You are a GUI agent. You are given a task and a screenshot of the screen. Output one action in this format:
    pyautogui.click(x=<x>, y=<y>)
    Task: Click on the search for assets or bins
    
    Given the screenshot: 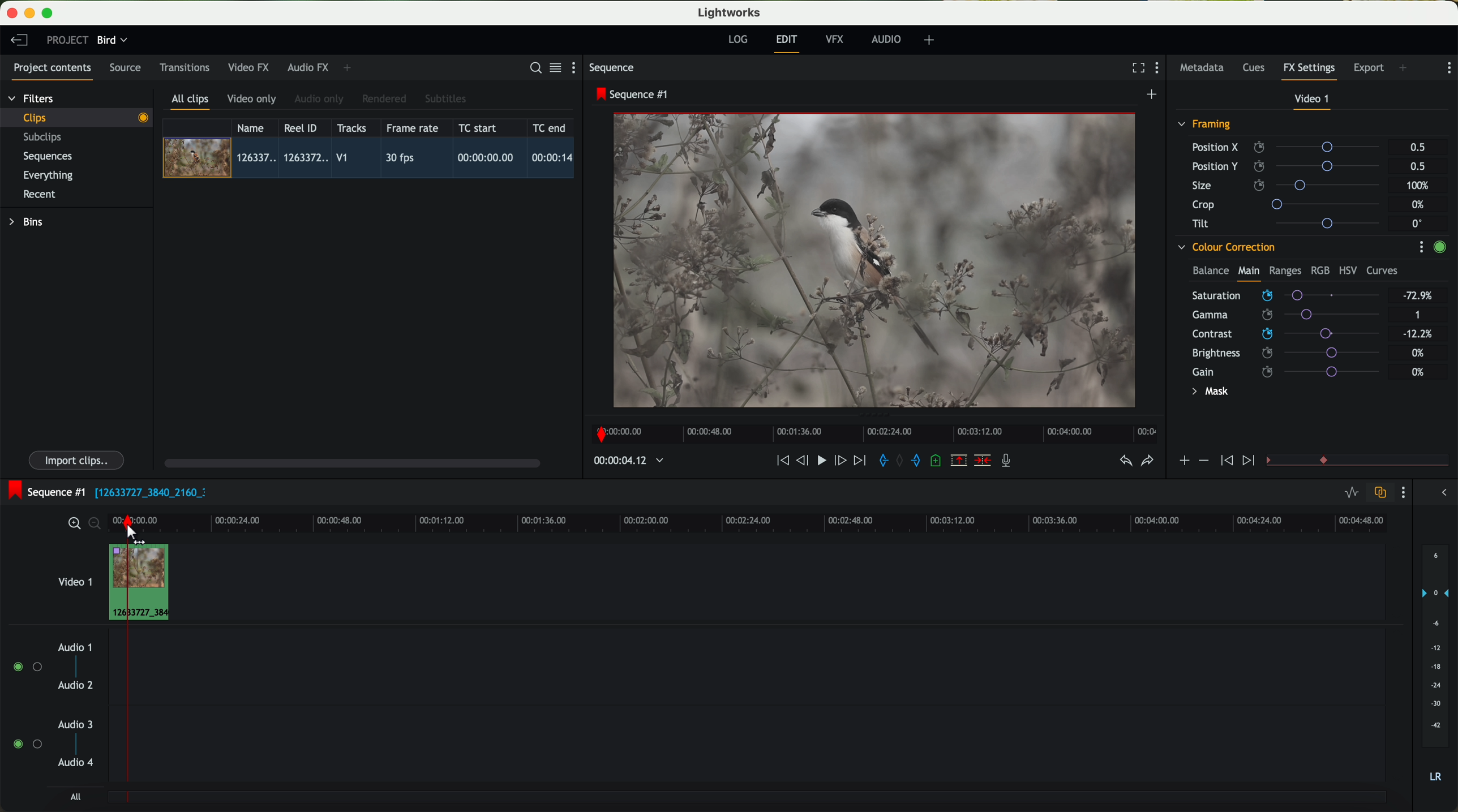 What is the action you would take?
    pyautogui.click(x=532, y=68)
    